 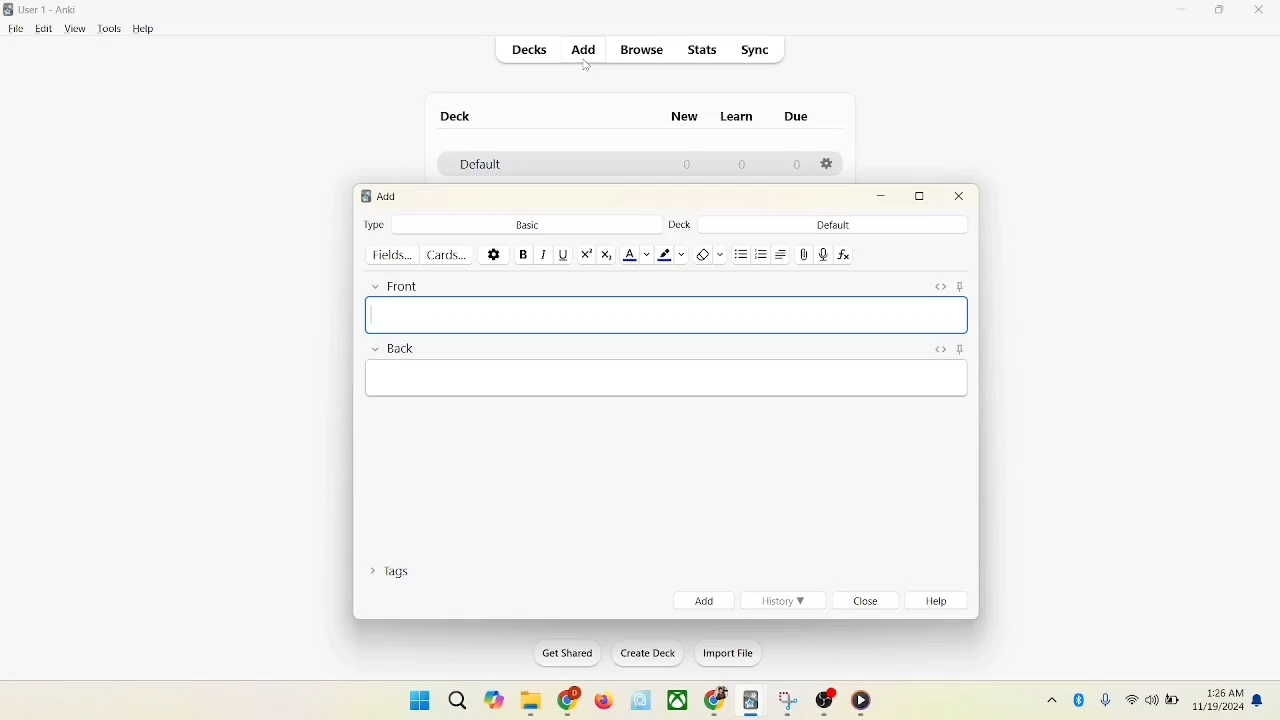 What do you see at coordinates (522, 253) in the screenshot?
I see `bold` at bounding box center [522, 253].